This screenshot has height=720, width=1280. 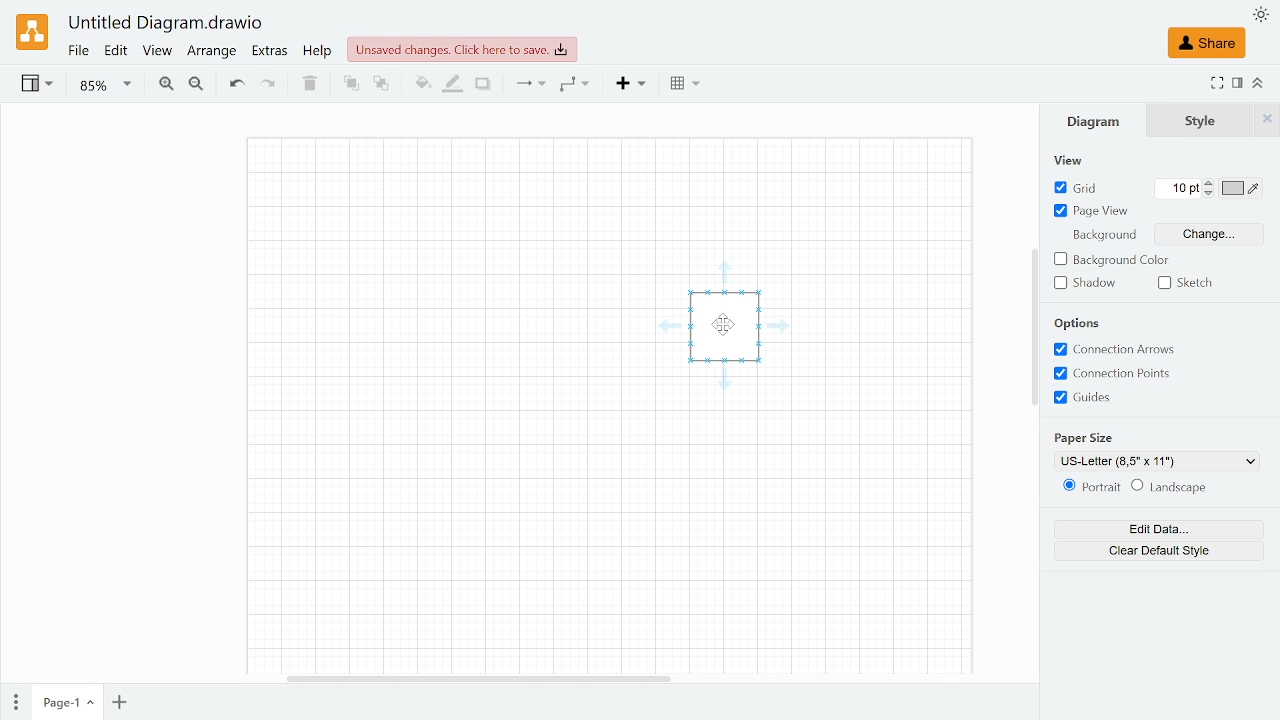 What do you see at coordinates (1089, 488) in the screenshot?
I see `Portrait` at bounding box center [1089, 488].